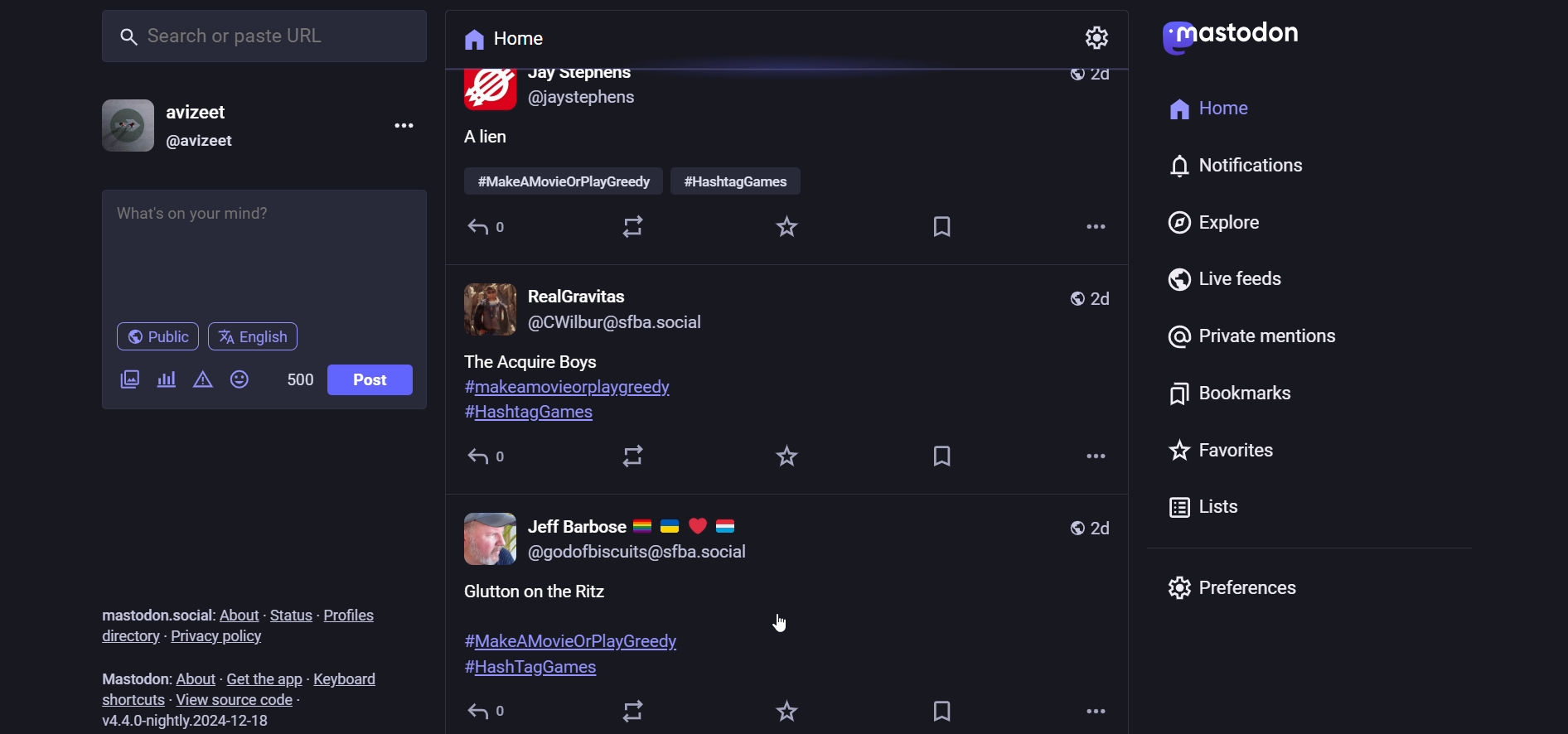 The height and width of the screenshot is (734, 1568). What do you see at coordinates (242, 700) in the screenshot?
I see `source code` at bounding box center [242, 700].